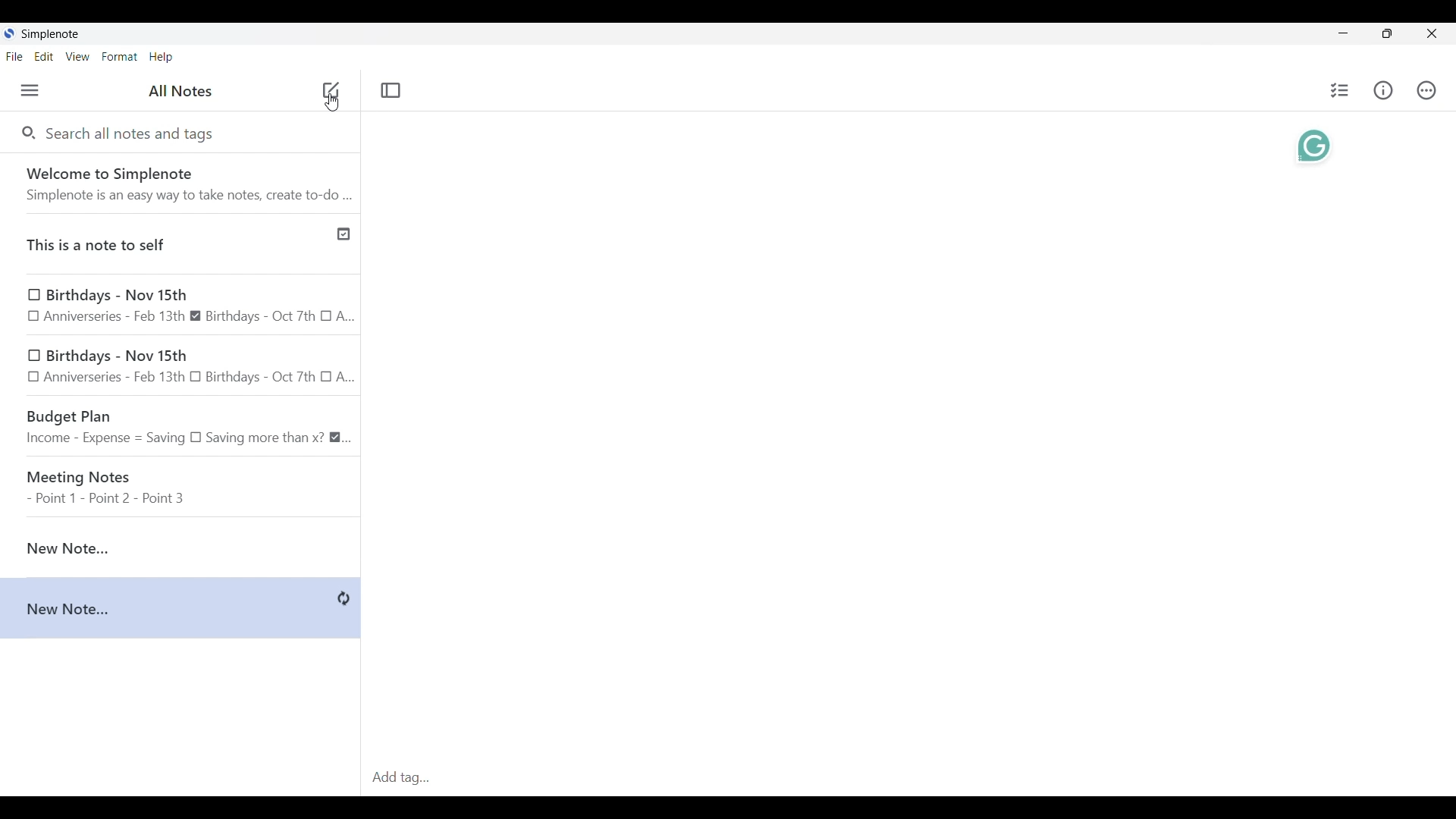 The width and height of the screenshot is (1456, 819). What do you see at coordinates (51, 34) in the screenshot?
I see `Software name` at bounding box center [51, 34].